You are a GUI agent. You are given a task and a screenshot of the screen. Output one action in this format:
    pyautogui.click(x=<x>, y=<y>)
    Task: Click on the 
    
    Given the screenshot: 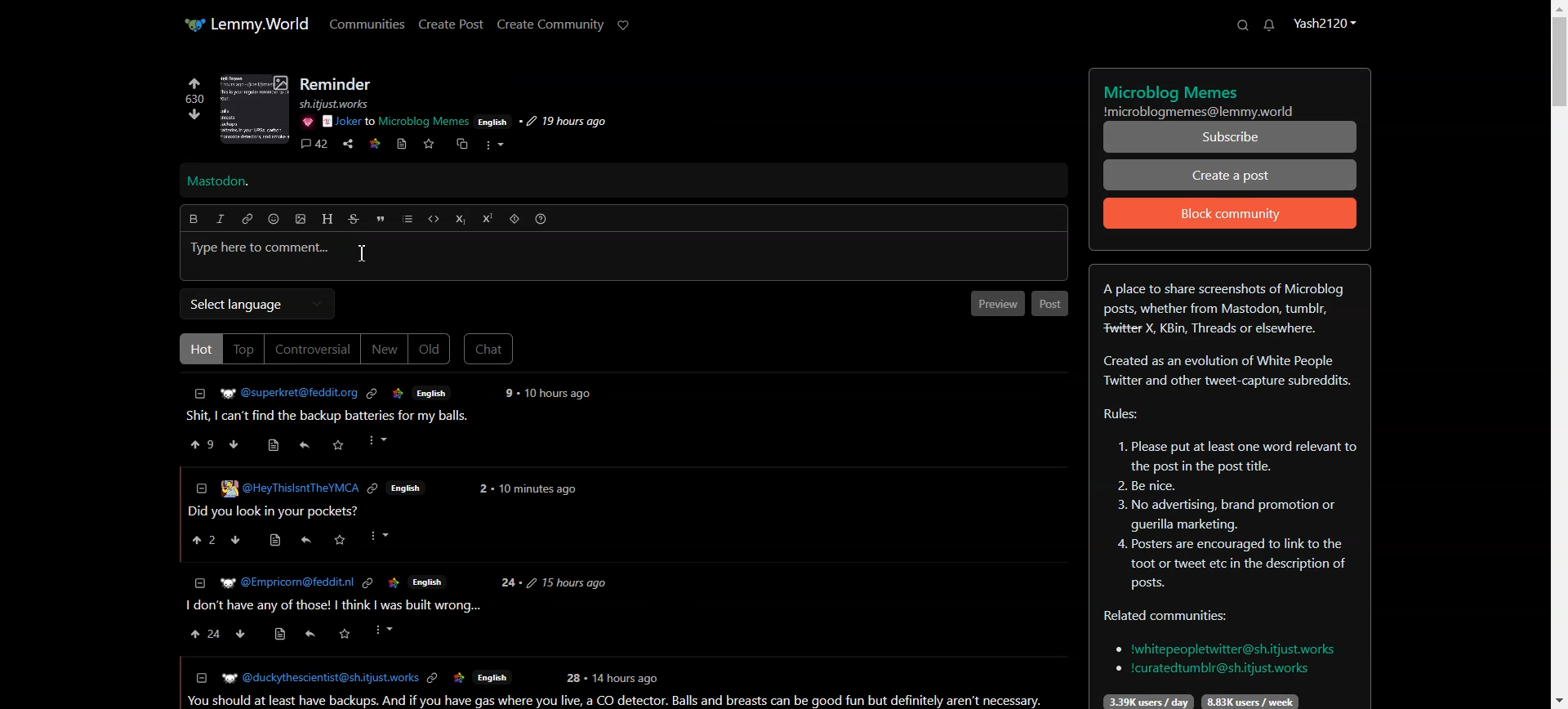 What is the action you would take?
    pyautogui.click(x=428, y=581)
    